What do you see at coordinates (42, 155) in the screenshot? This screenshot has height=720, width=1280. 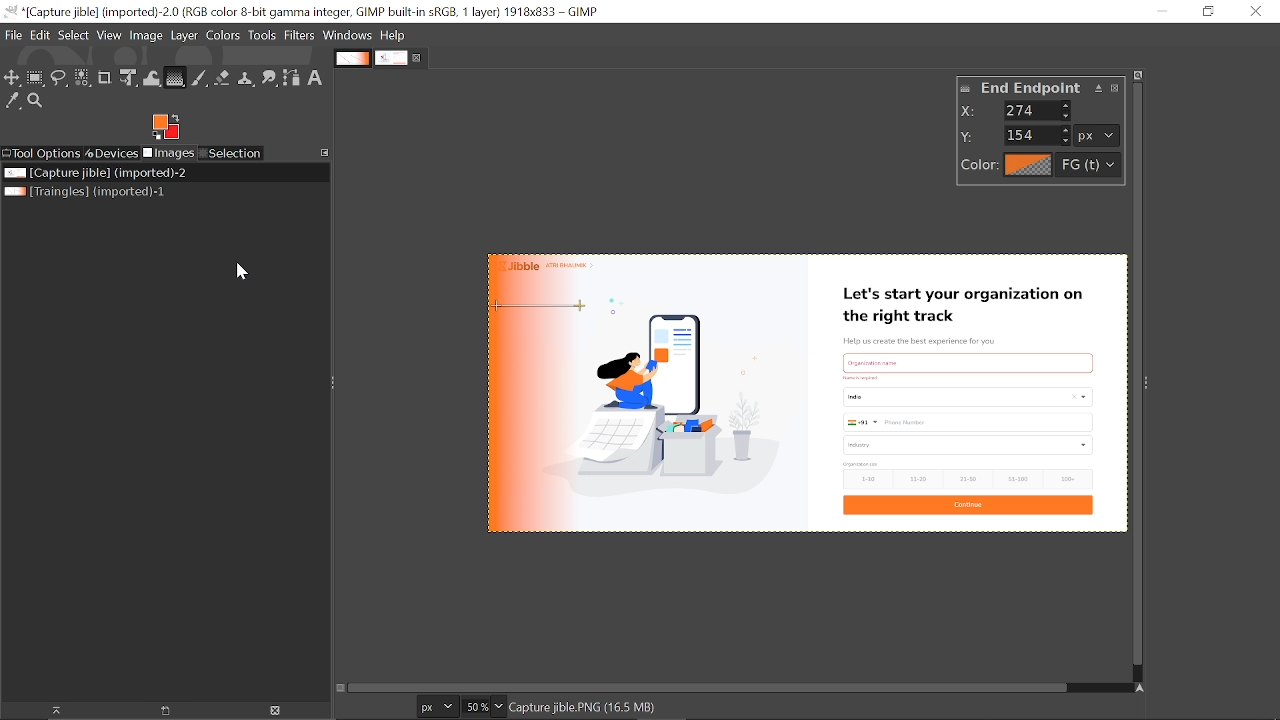 I see `Tool options` at bounding box center [42, 155].